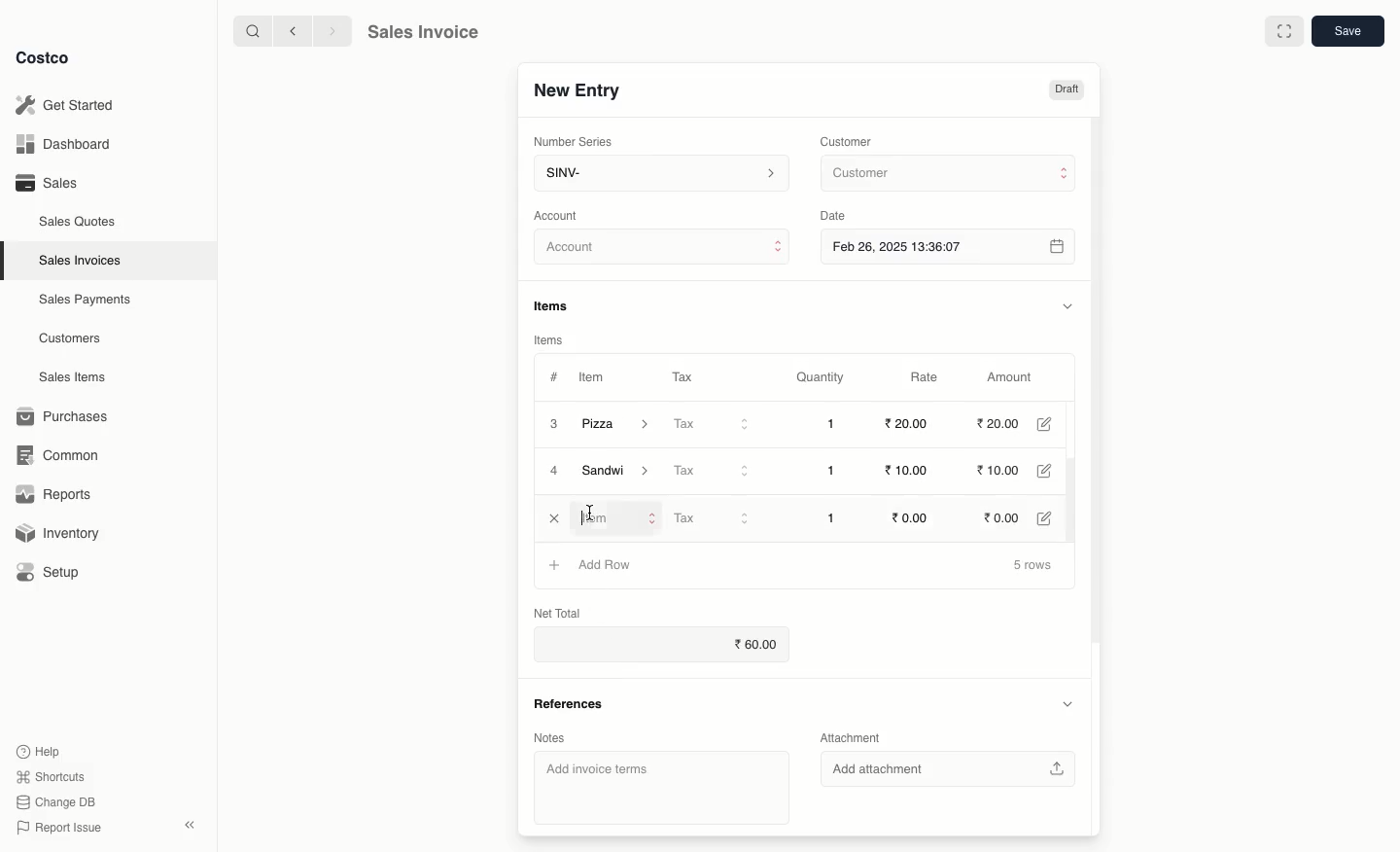  What do you see at coordinates (1007, 472) in the screenshot?
I see `10.00` at bounding box center [1007, 472].